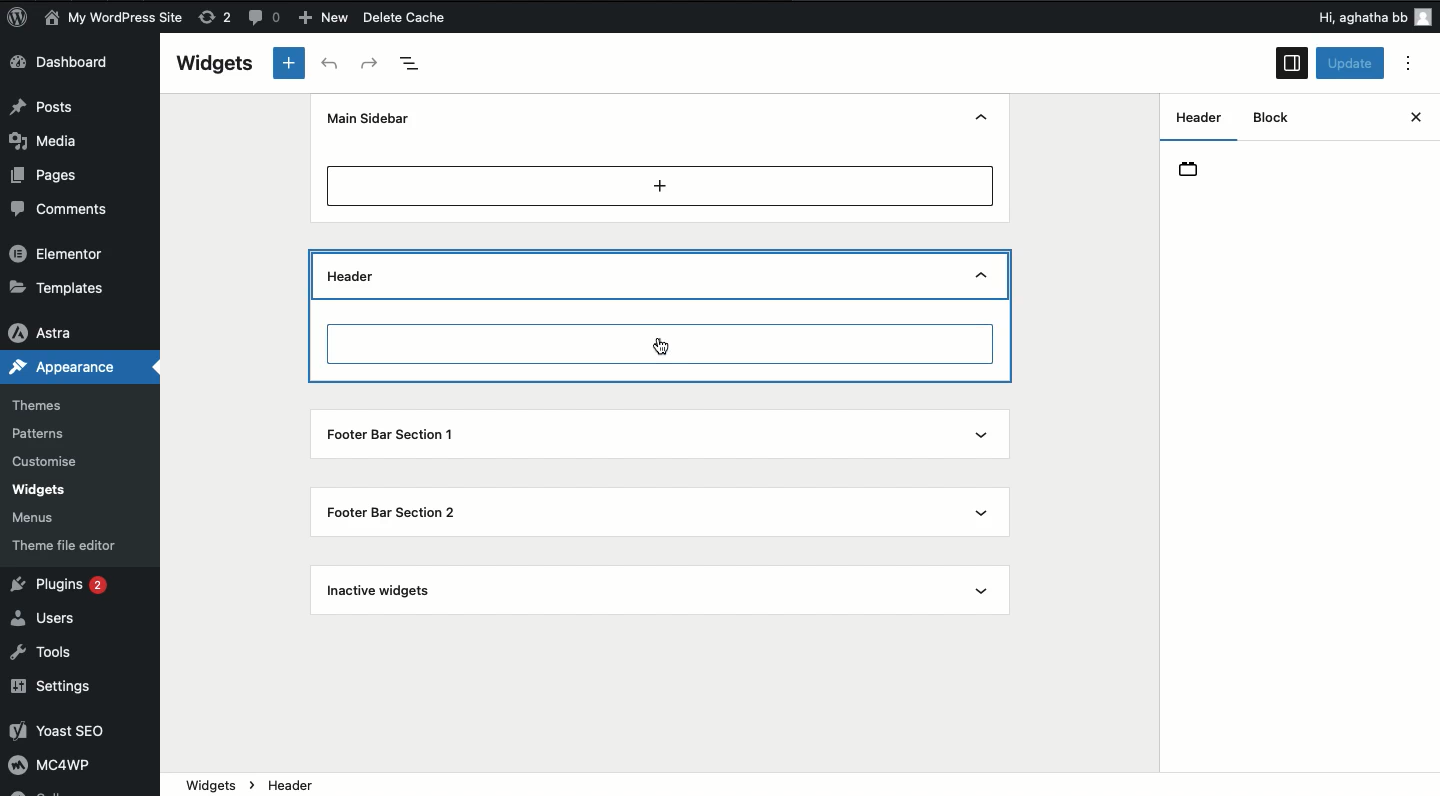  I want to click on Delete Cache, so click(441, 19).